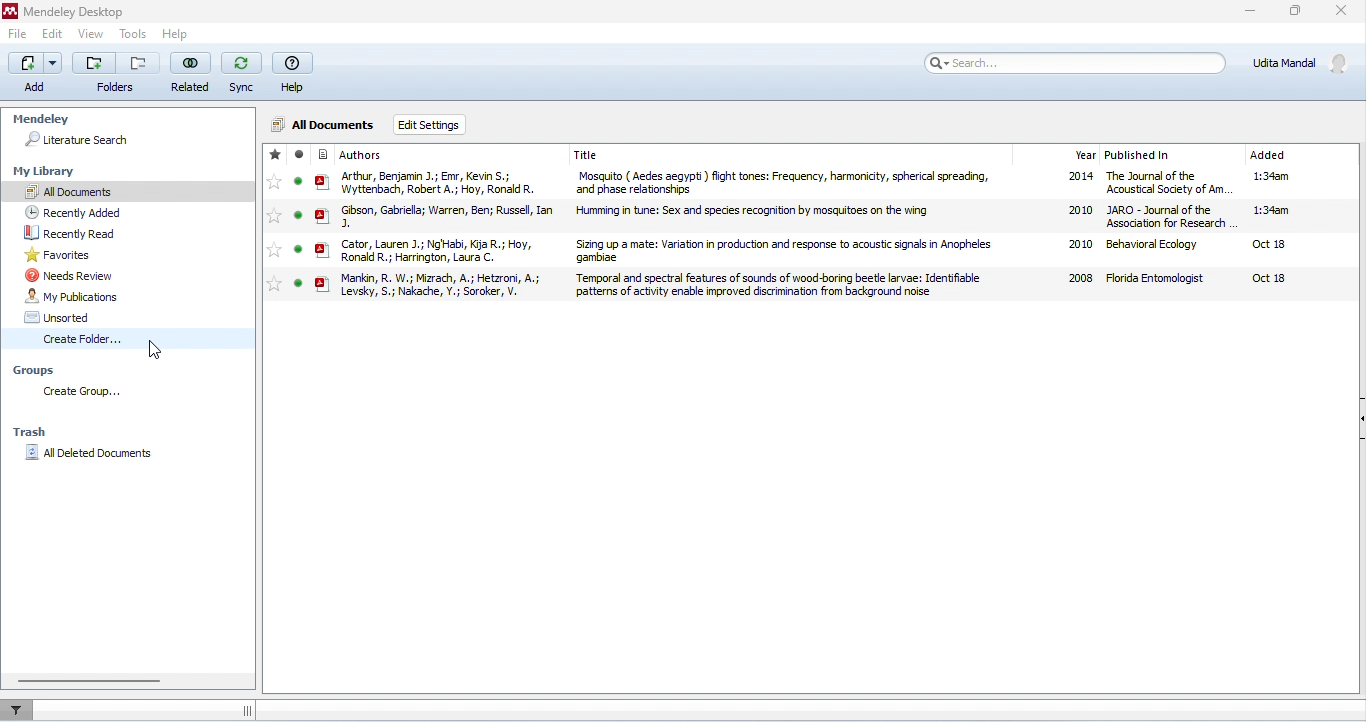 Image resolution: width=1366 pixels, height=722 pixels. What do you see at coordinates (323, 284) in the screenshot?
I see `pdf icon` at bounding box center [323, 284].